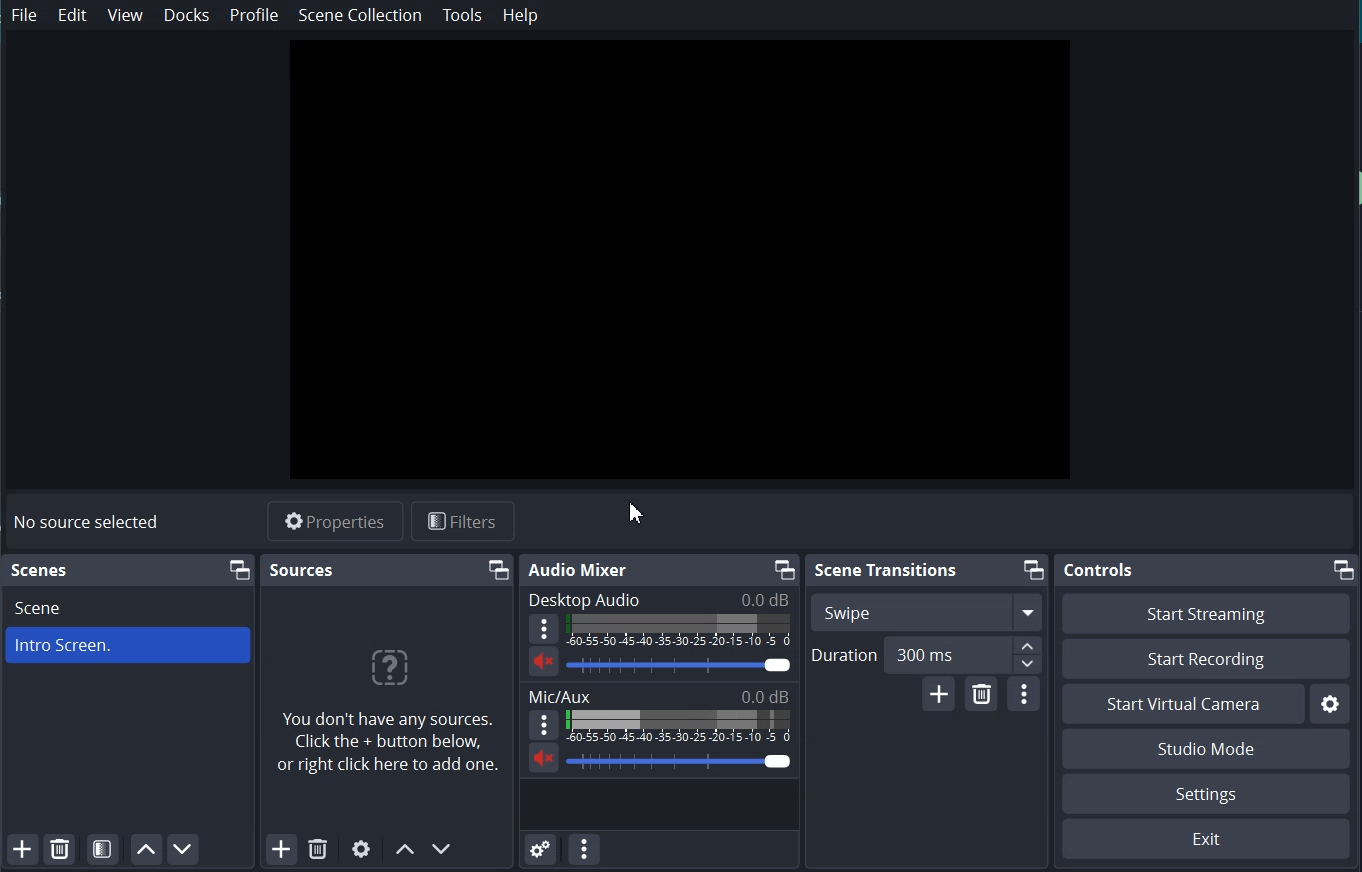 This screenshot has width=1362, height=872. What do you see at coordinates (544, 661) in the screenshot?
I see `Mute ` at bounding box center [544, 661].